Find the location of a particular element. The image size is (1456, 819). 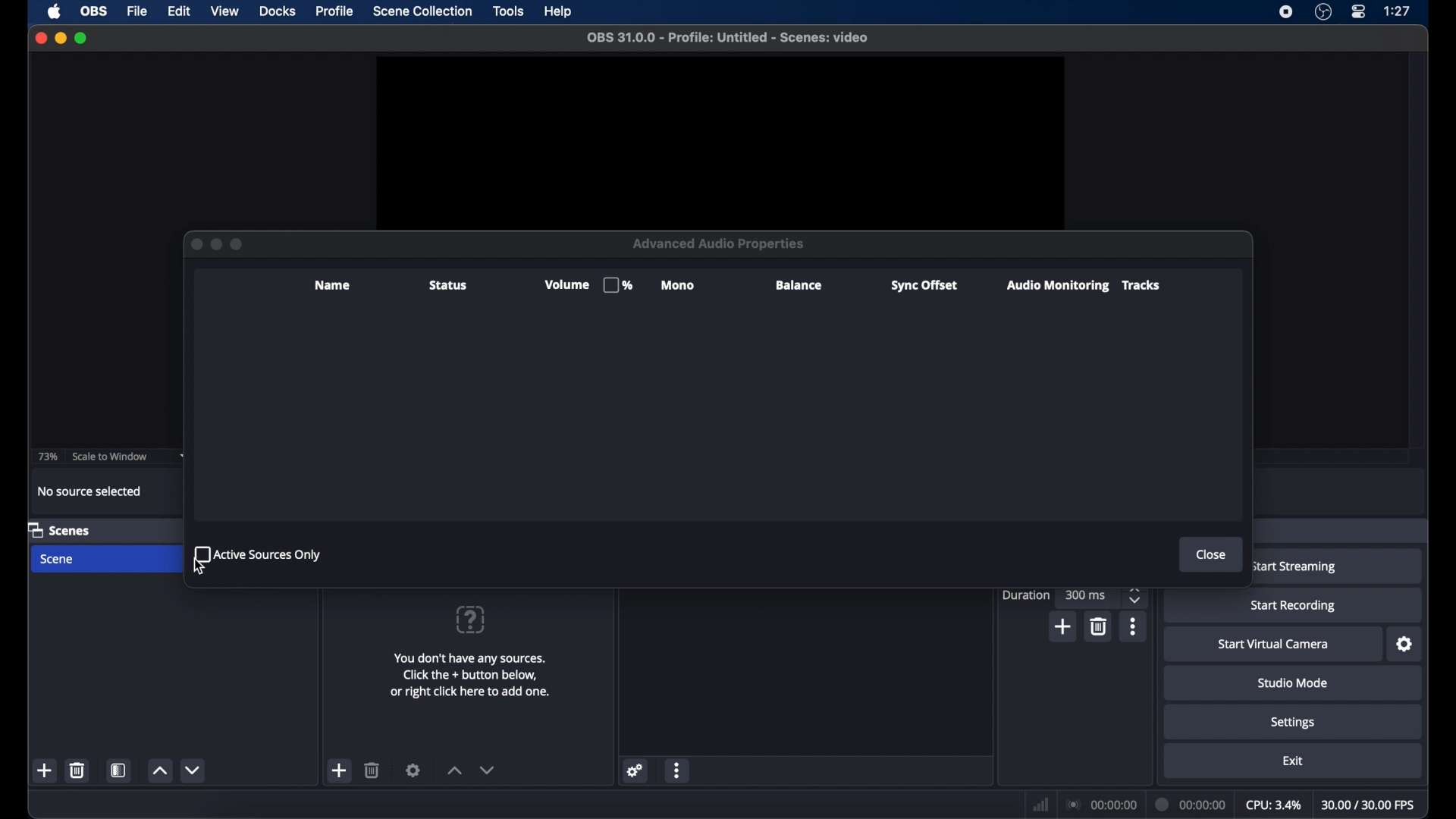

close is located at coordinates (41, 38).